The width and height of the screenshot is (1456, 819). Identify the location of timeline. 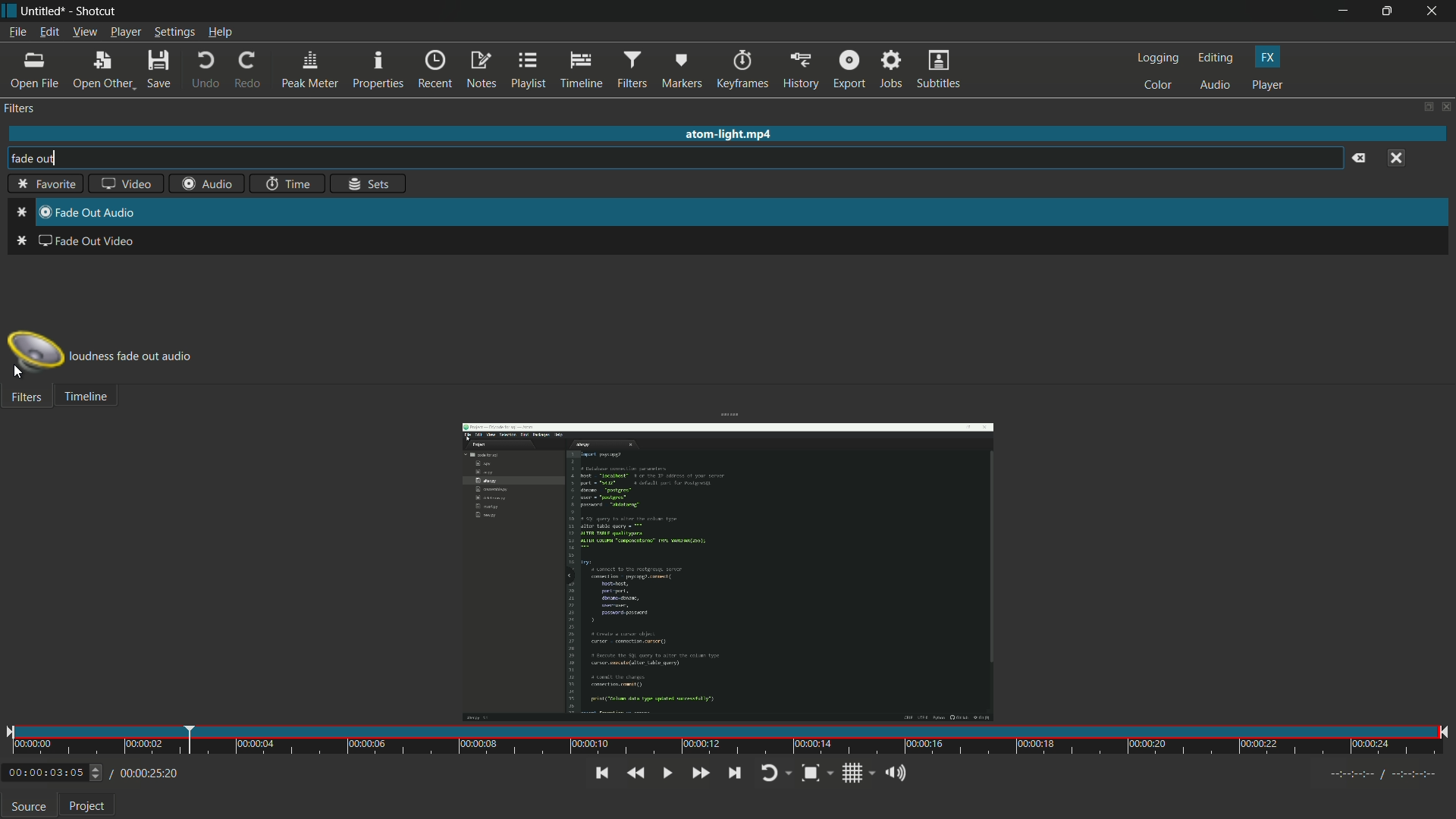
(86, 398).